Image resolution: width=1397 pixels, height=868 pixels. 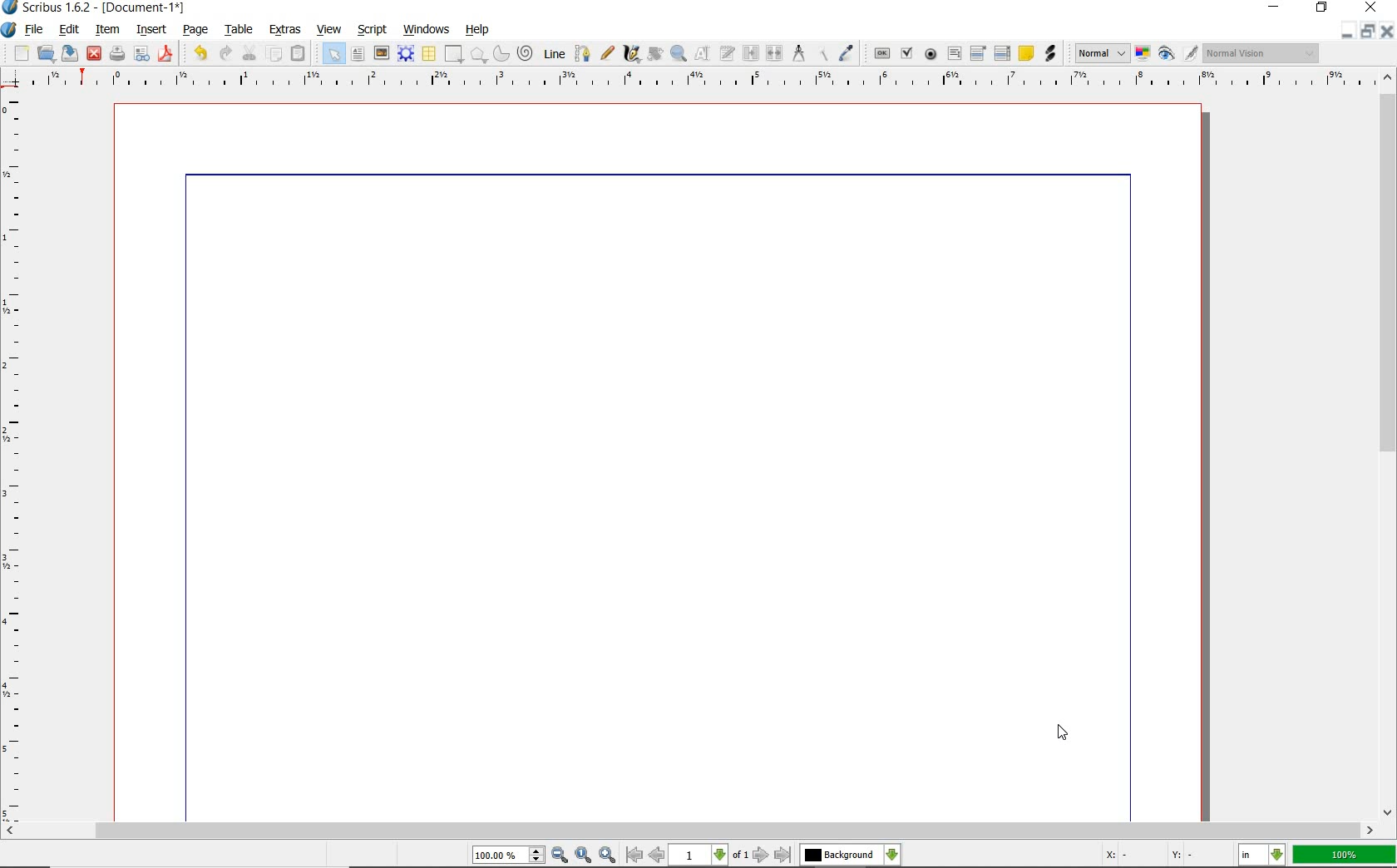 What do you see at coordinates (199, 30) in the screenshot?
I see `page` at bounding box center [199, 30].